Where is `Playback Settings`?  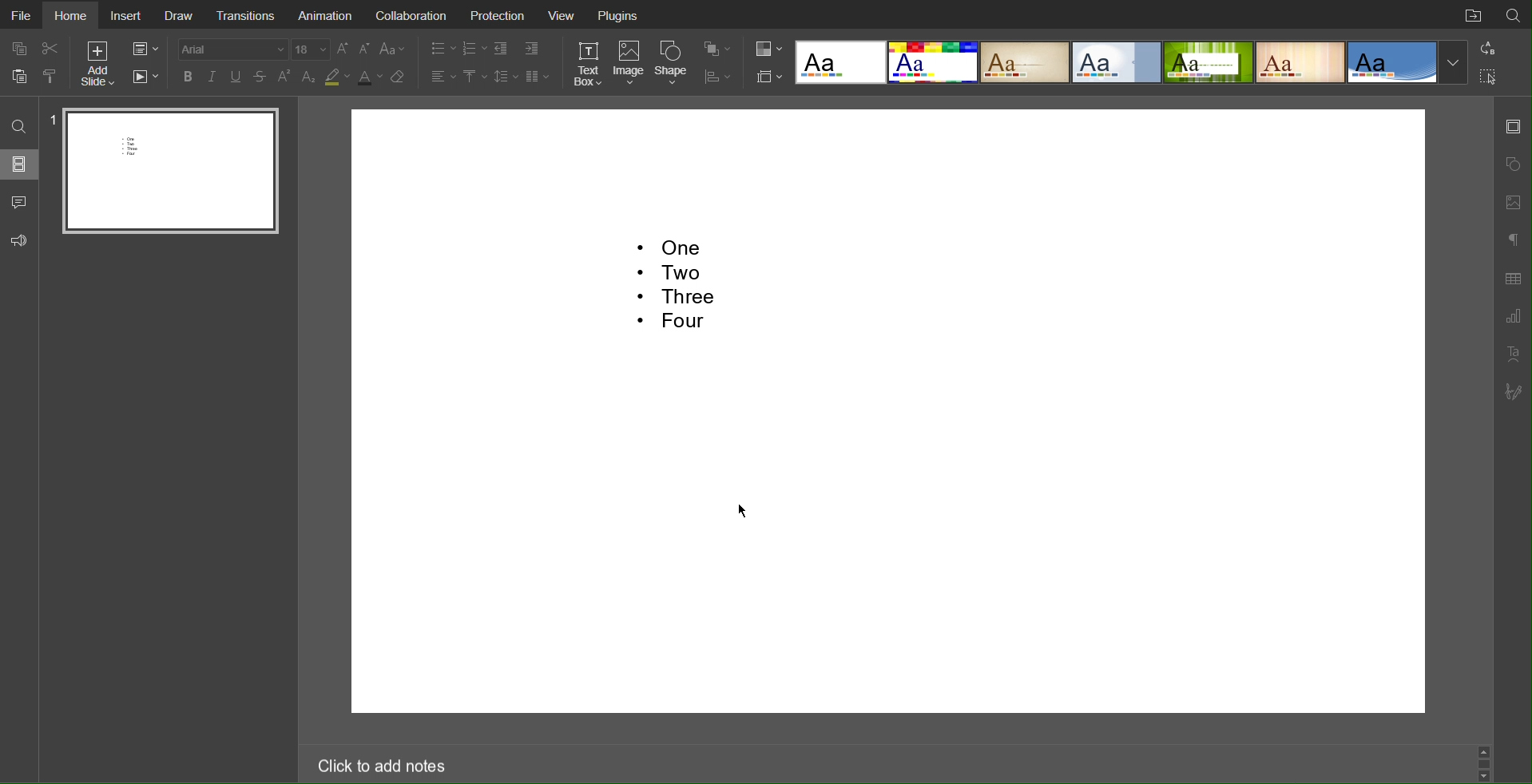 Playback Settings is located at coordinates (145, 78).